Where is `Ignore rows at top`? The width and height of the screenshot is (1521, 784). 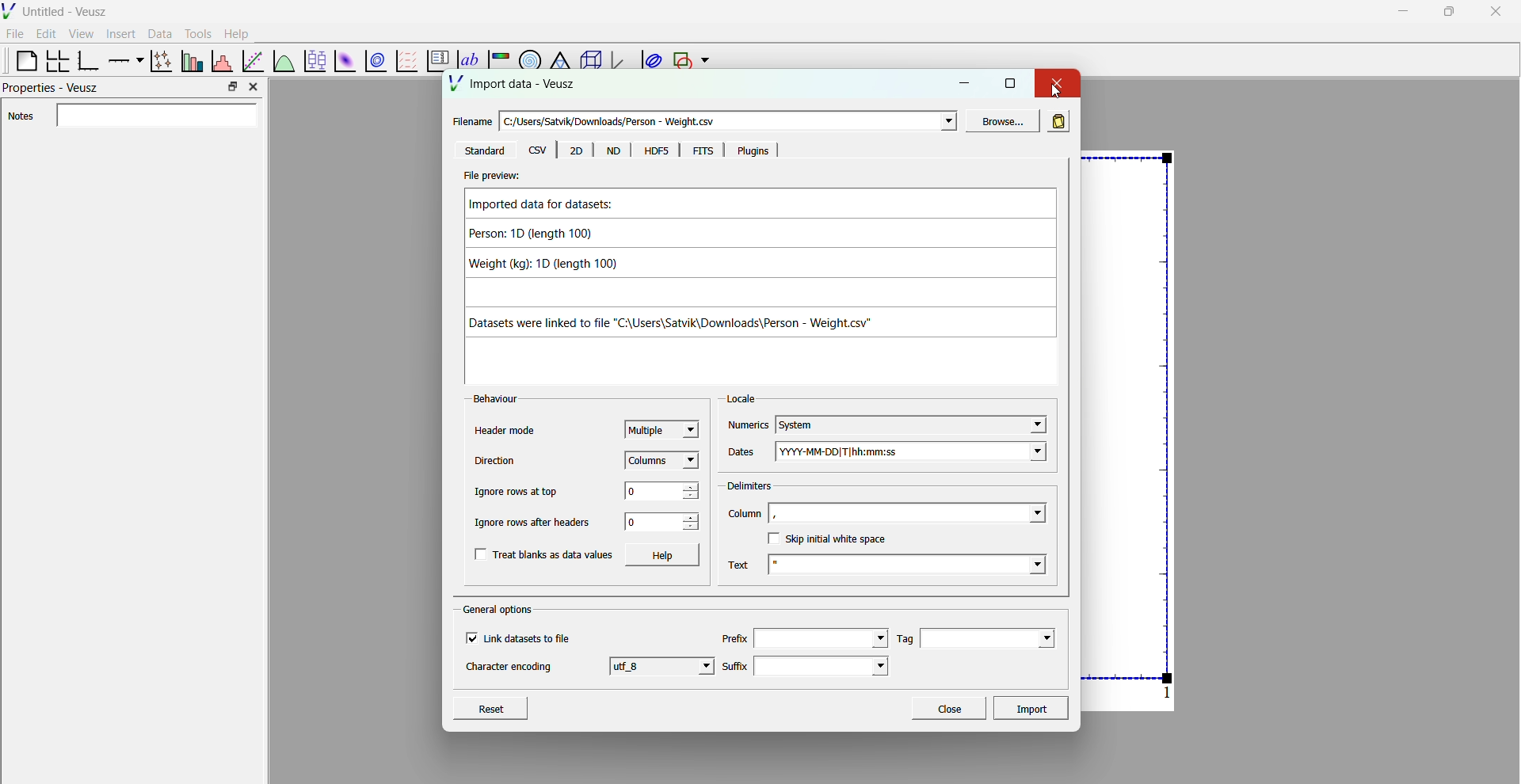
Ignore rows at top is located at coordinates (516, 491).